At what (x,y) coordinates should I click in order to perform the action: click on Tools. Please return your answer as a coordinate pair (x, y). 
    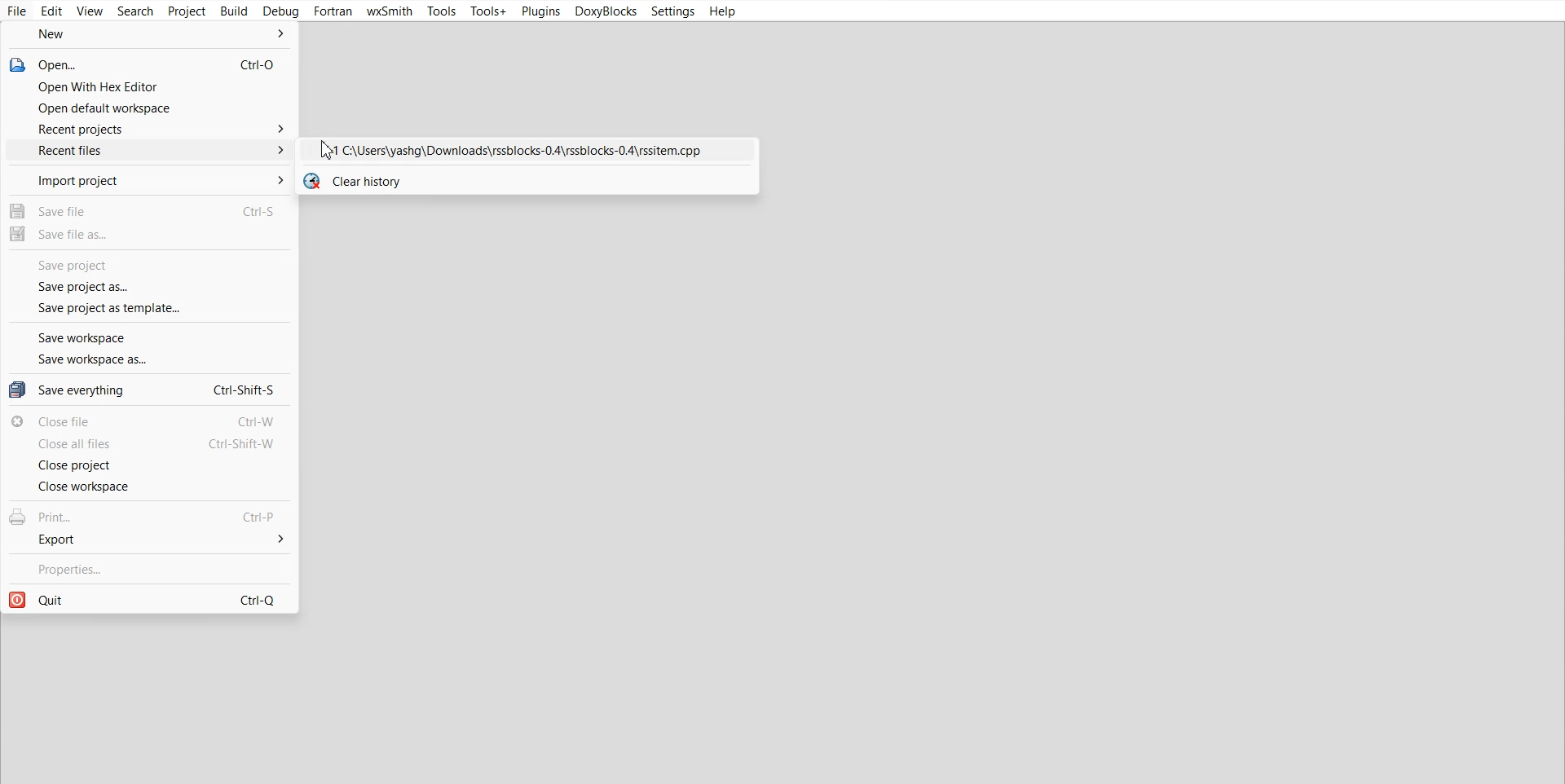
    Looking at the image, I should click on (441, 12).